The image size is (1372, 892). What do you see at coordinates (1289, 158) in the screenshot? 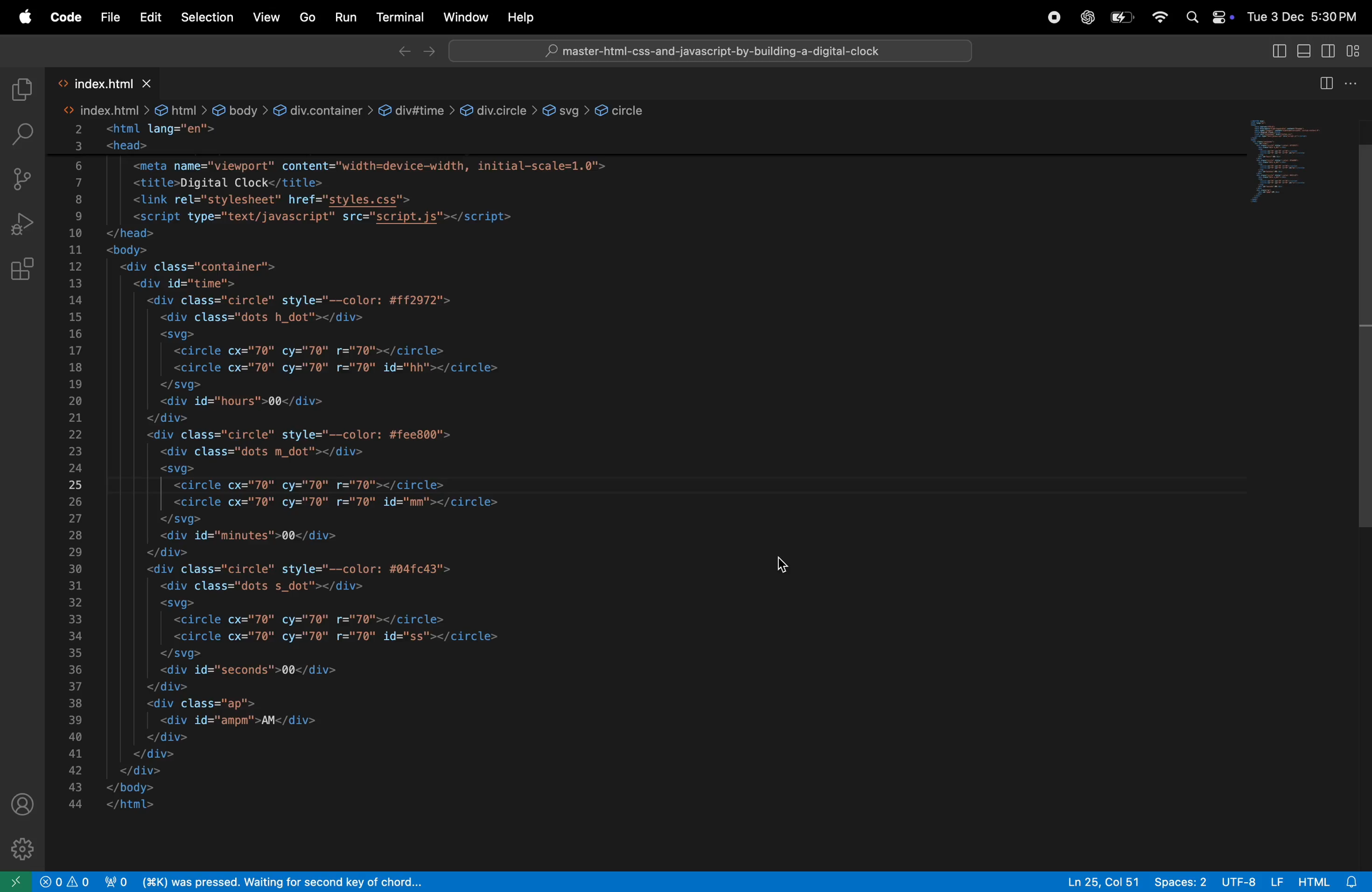
I see `preview window` at bounding box center [1289, 158].